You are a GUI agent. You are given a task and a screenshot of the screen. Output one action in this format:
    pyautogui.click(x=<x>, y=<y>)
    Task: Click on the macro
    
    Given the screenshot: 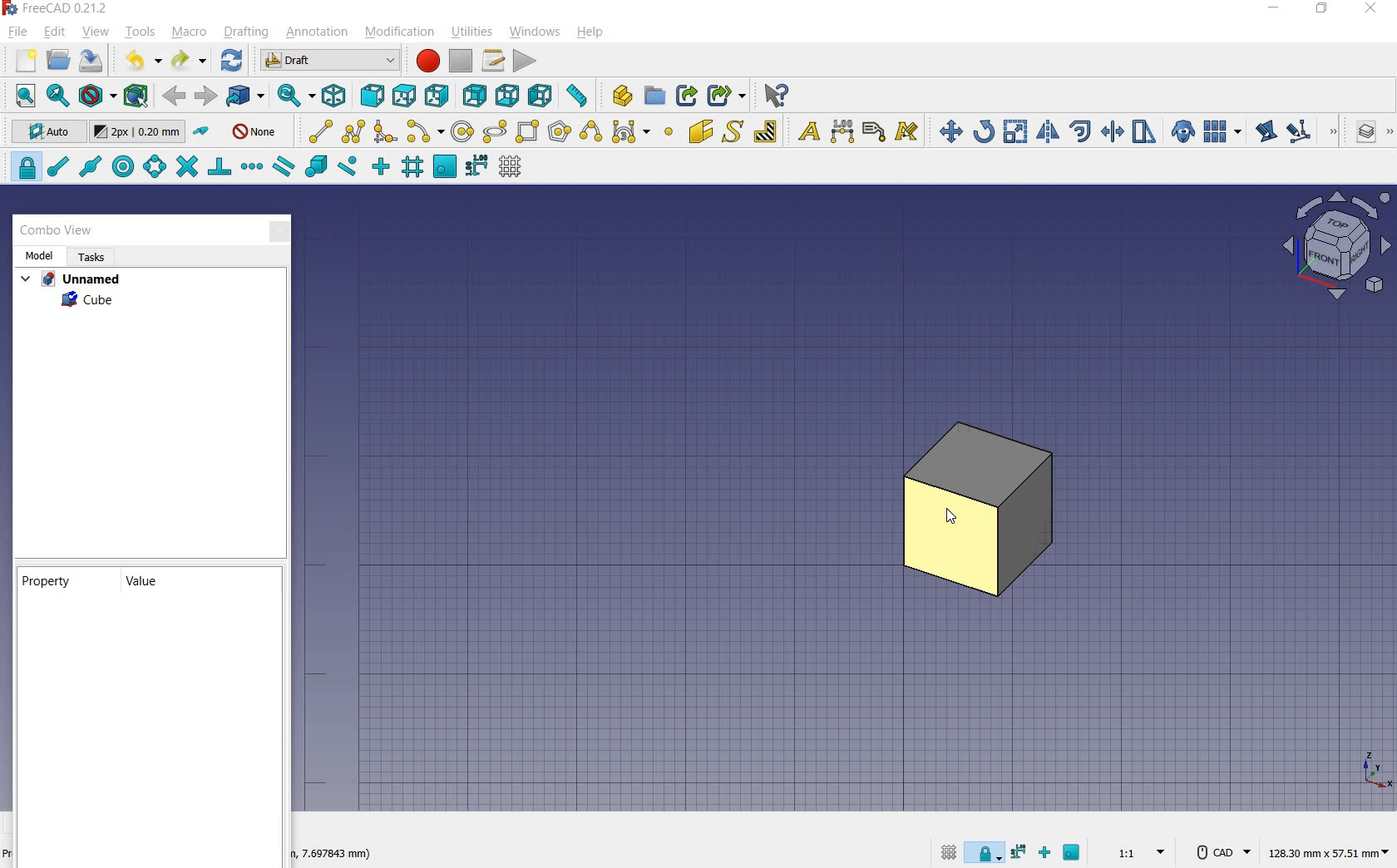 What is the action you would take?
    pyautogui.click(x=189, y=33)
    